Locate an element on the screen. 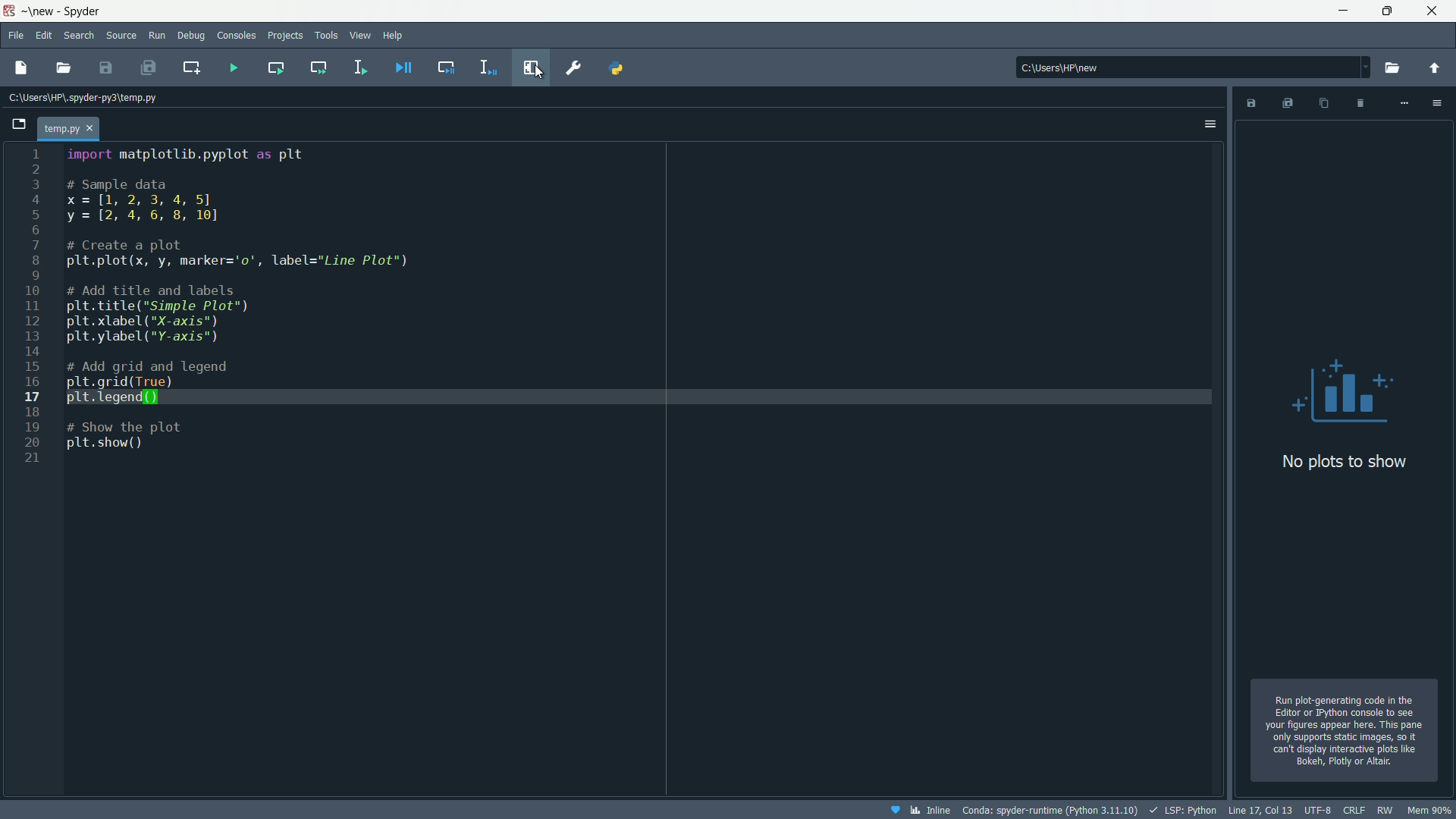 Image resolution: width=1456 pixels, height=819 pixels. view is located at coordinates (361, 36).